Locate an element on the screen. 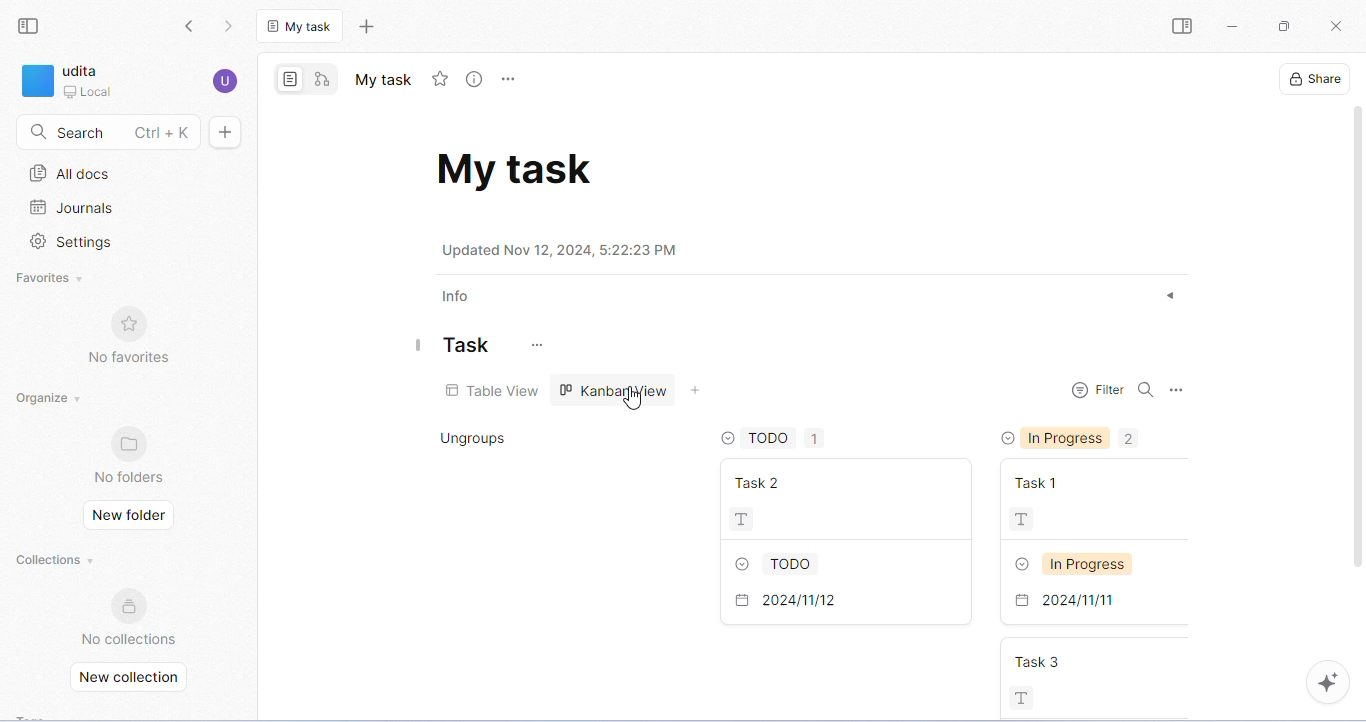 This screenshot has height=722, width=1366. page mode is located at coordinates (294, 79).